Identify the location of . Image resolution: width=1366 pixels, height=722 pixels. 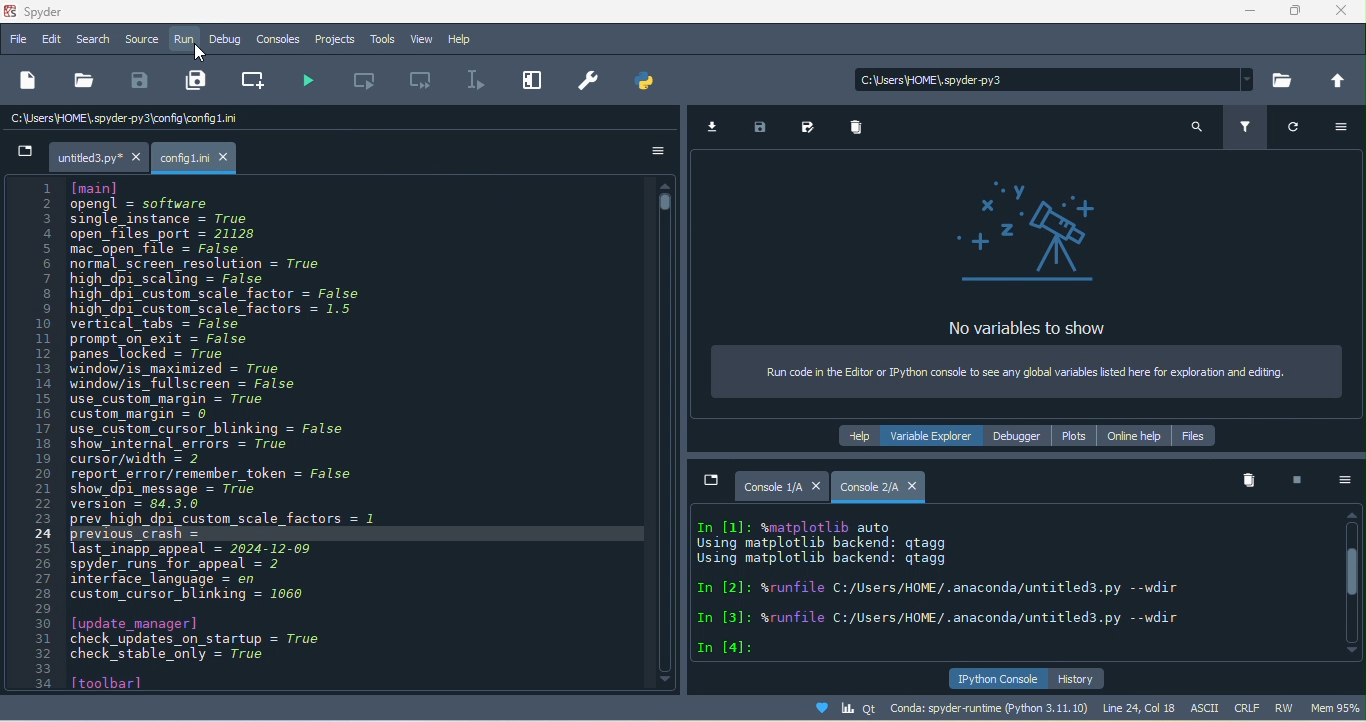
(92, 39).